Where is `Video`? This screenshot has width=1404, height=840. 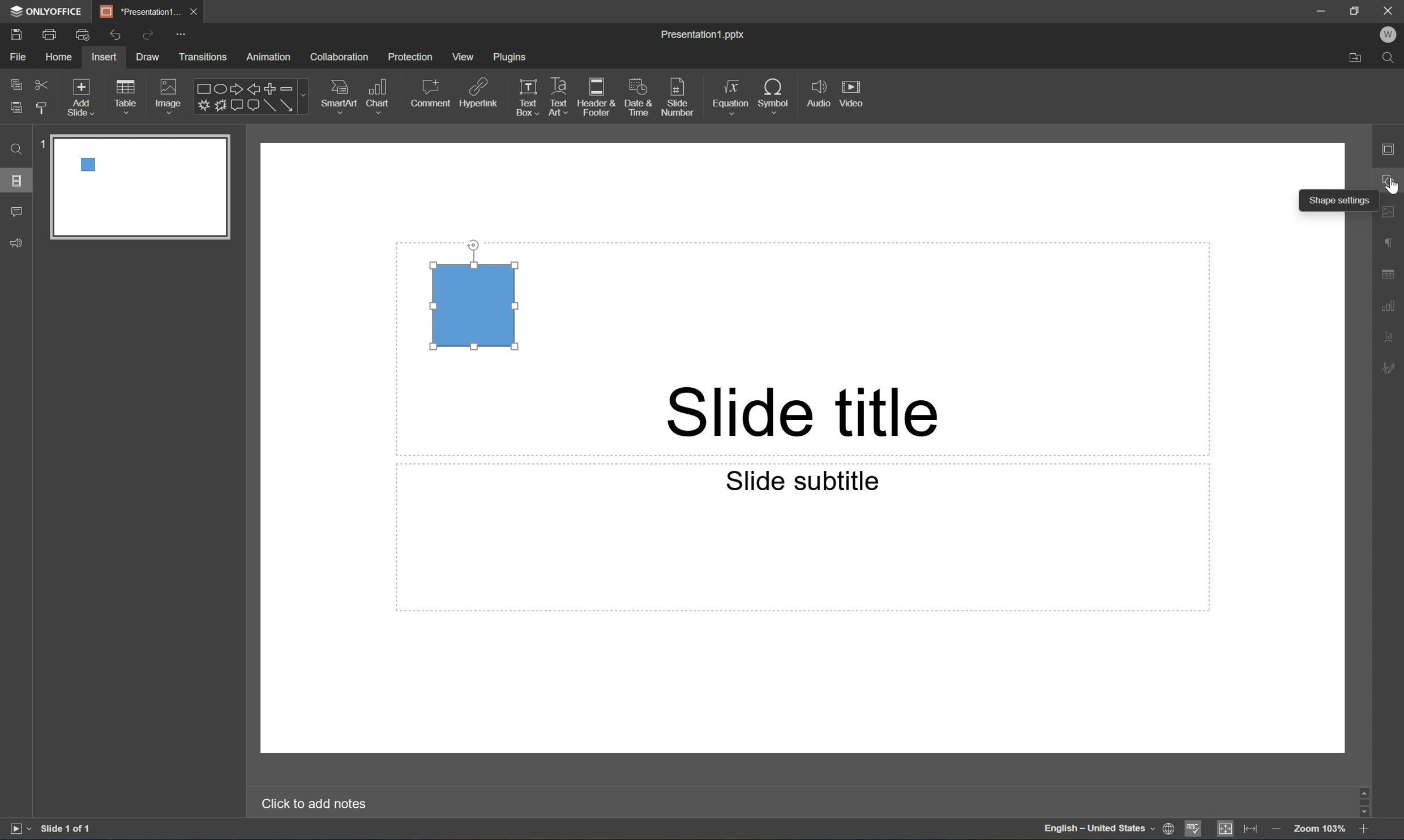 Video is located at coordinates (850, 92).